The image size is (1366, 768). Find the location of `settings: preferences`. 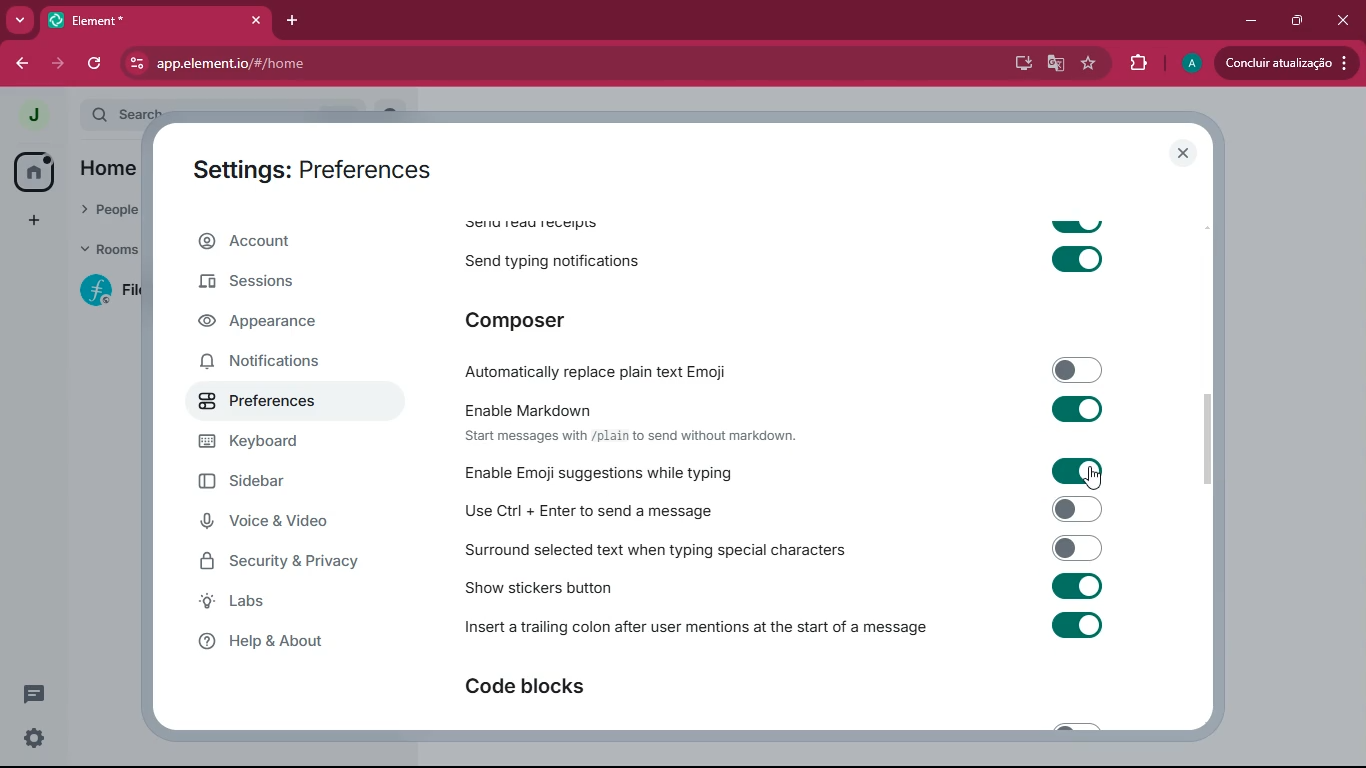

settings: preferences is located at coordinates (318, 171).